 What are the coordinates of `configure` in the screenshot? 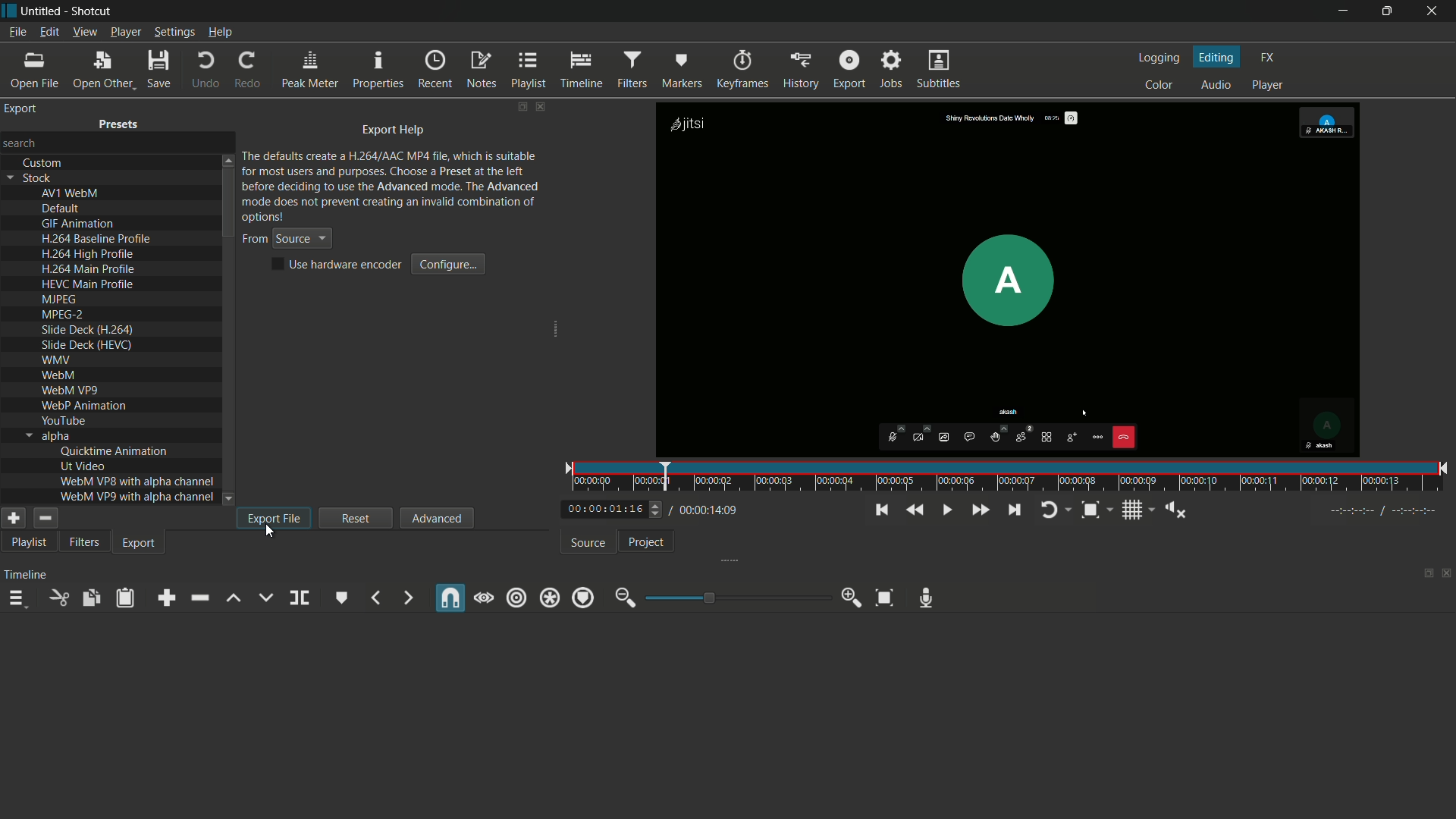 It's located at (448, 265).